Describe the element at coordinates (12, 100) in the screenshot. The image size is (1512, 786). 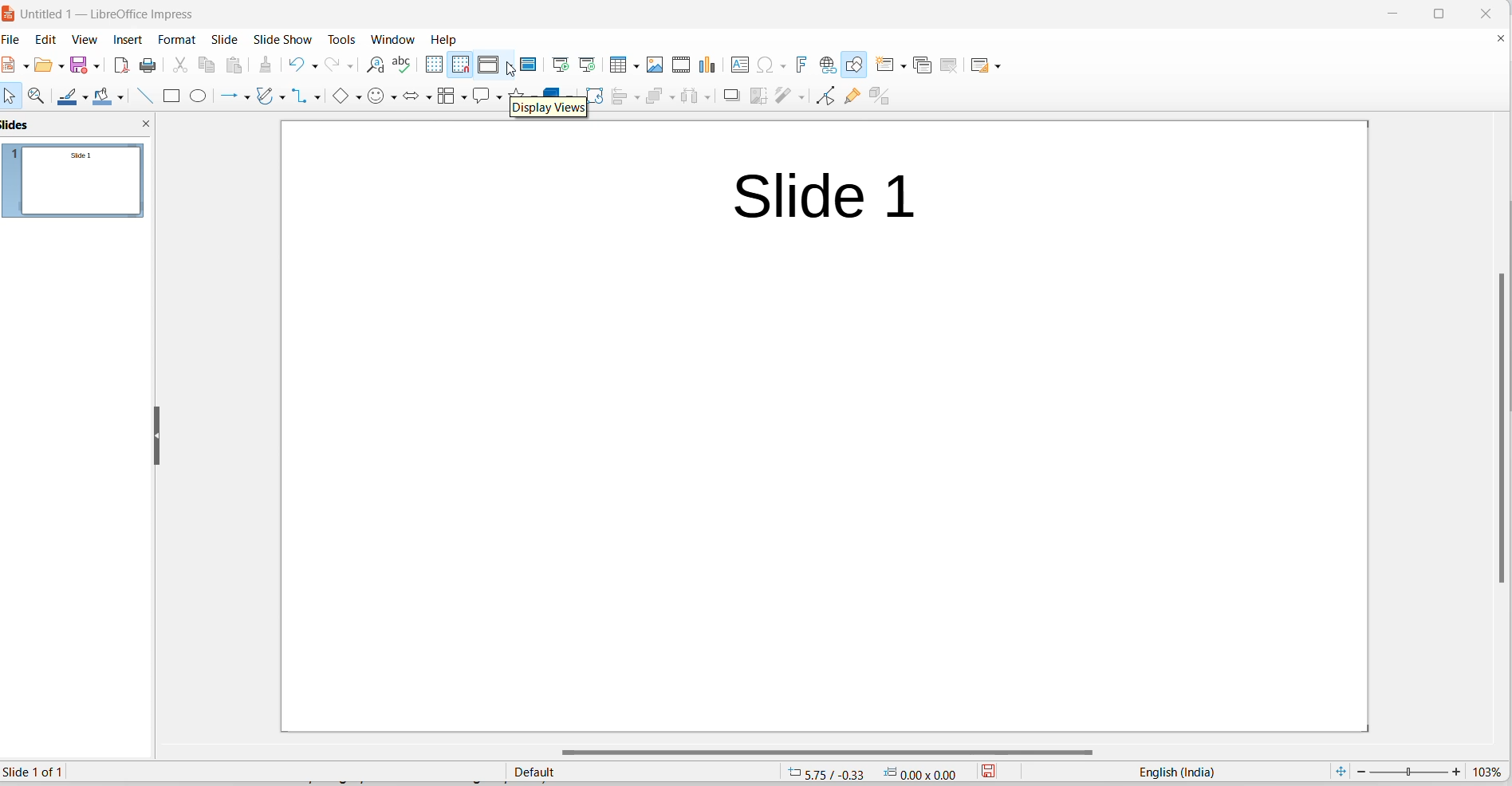
I see `select` at that location.